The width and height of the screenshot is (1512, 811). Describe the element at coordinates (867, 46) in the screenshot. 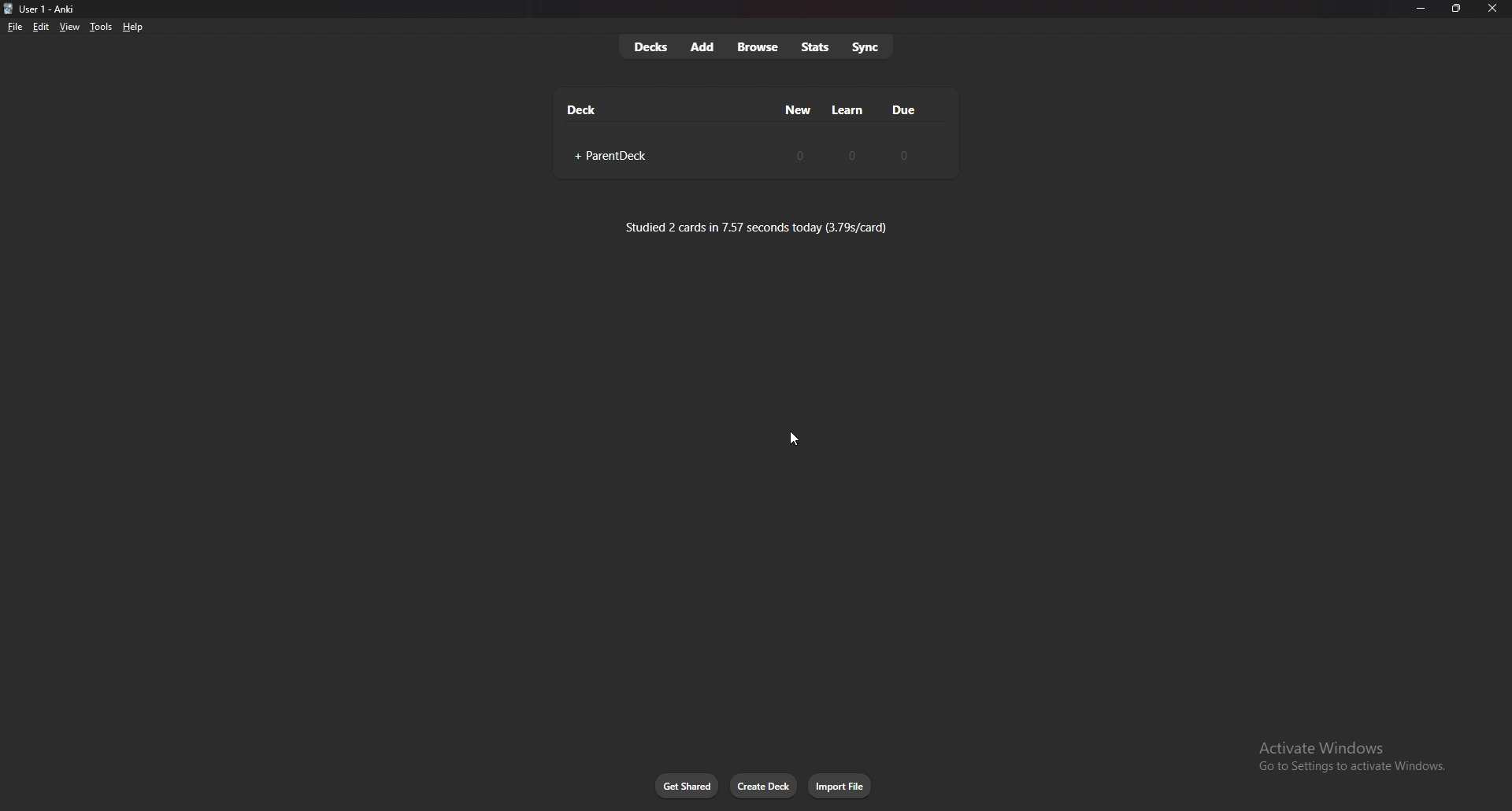

I see `sync` at that location.